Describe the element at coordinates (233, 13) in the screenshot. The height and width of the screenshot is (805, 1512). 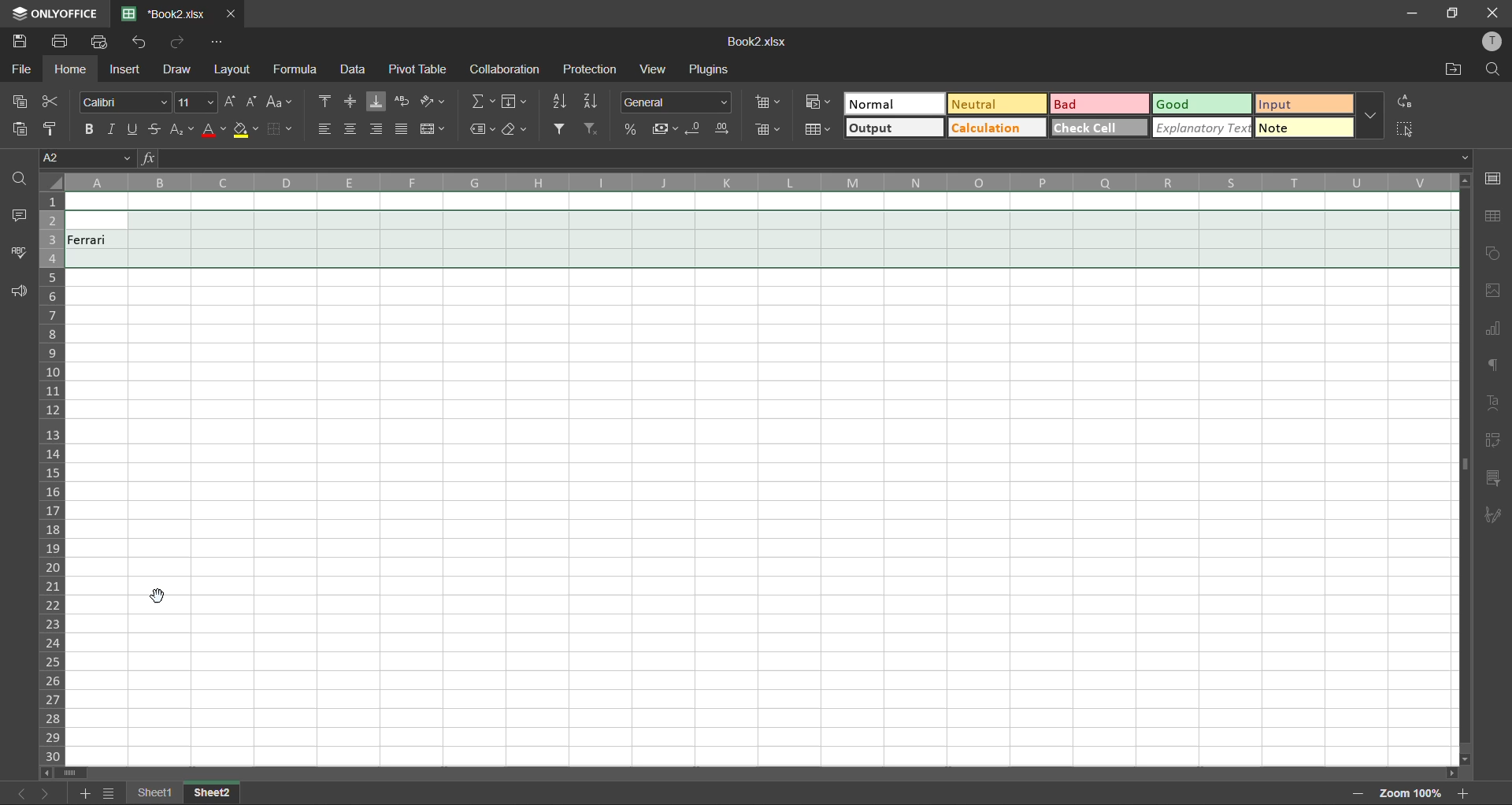
I see `close tab` at that location.